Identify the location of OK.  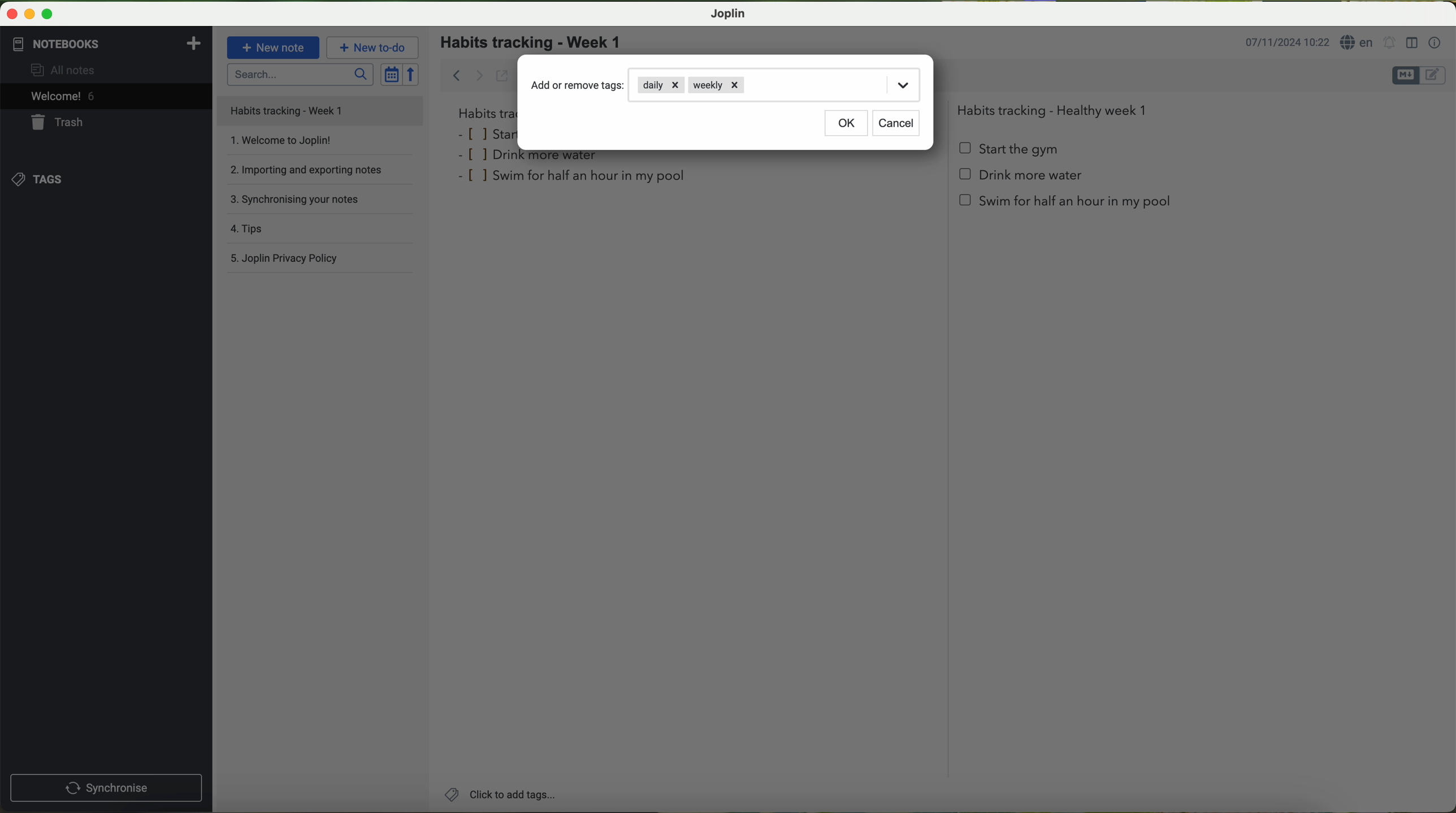
(847, 124).